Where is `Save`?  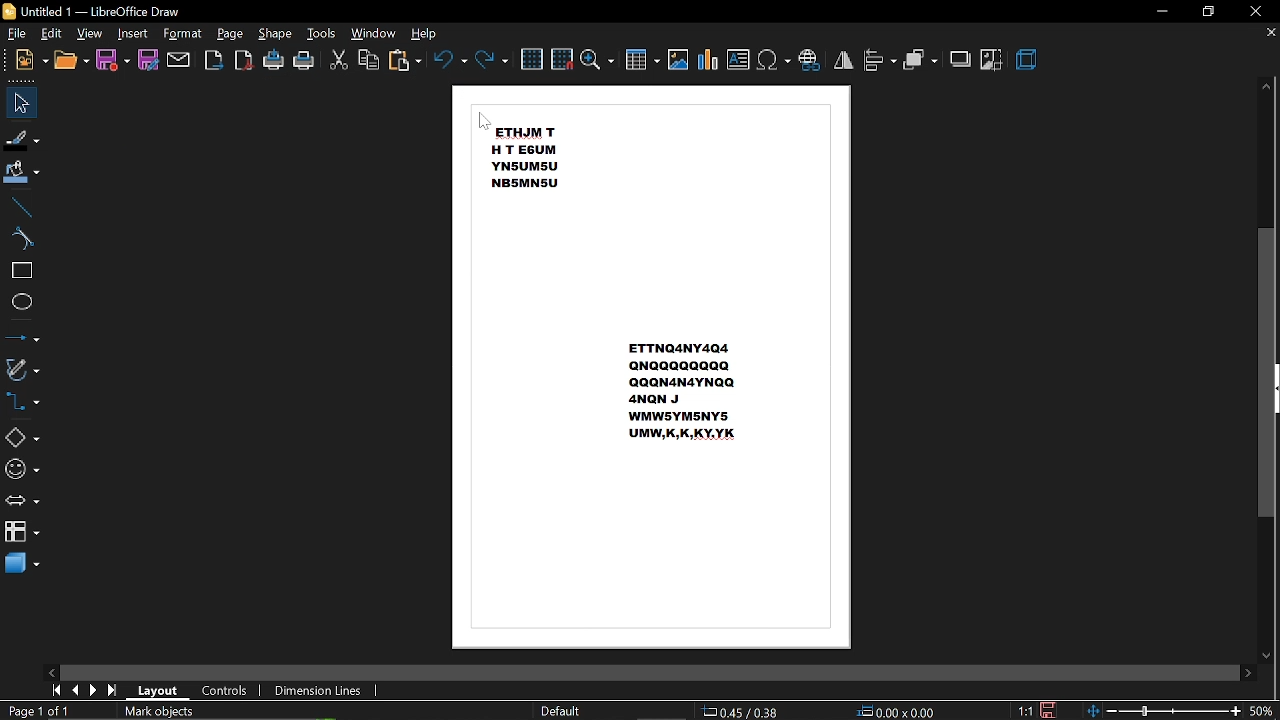
Save is located at coordinates (1054, 710).